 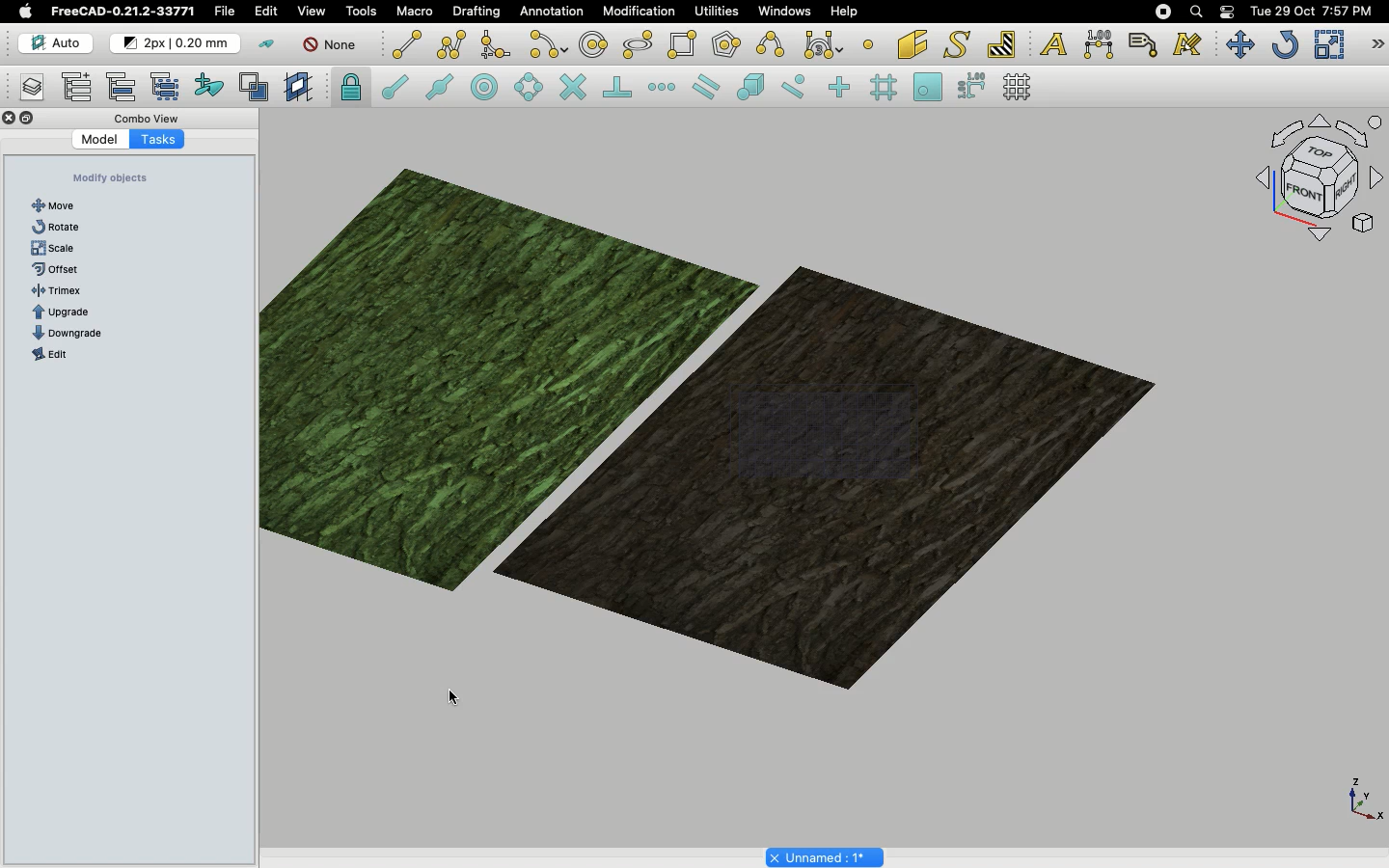 What do you see at coordinates (706, 87) in the screenshot?
I see `Snap parallel` at bounding box center [706, 87].